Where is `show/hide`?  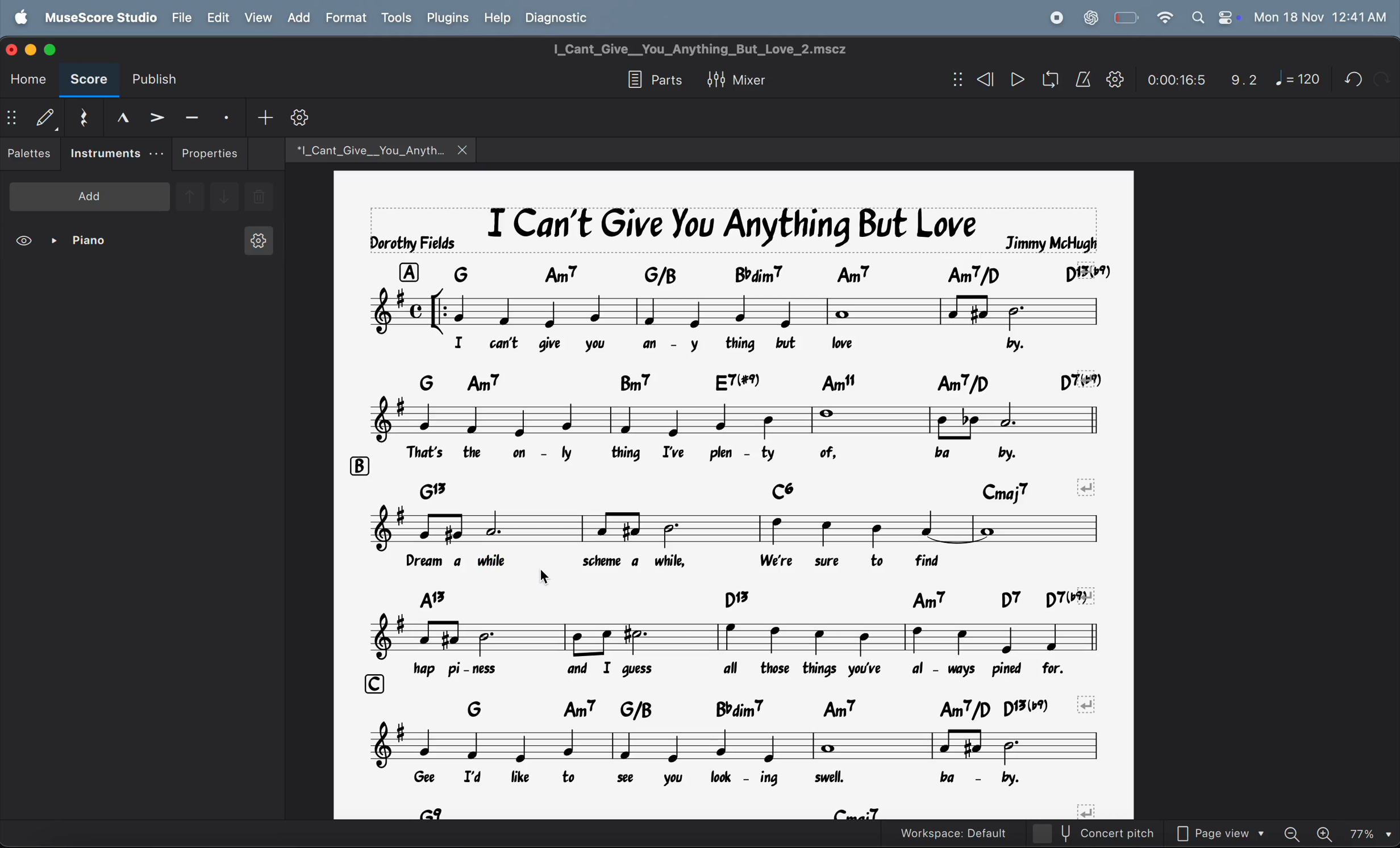 show/hide is located at coordinates (953, 80).